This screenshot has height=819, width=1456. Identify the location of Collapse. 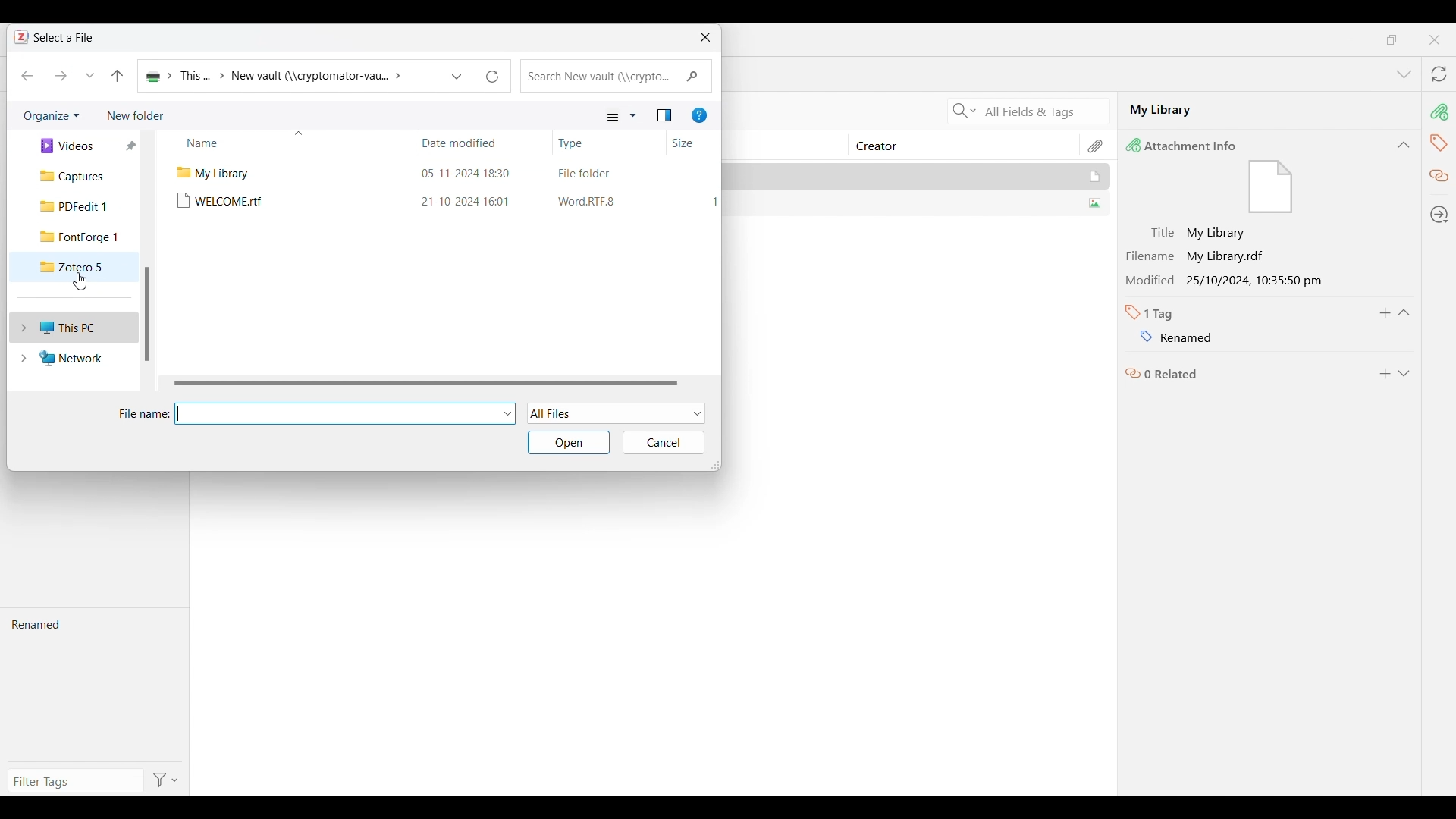
(1404, 145).